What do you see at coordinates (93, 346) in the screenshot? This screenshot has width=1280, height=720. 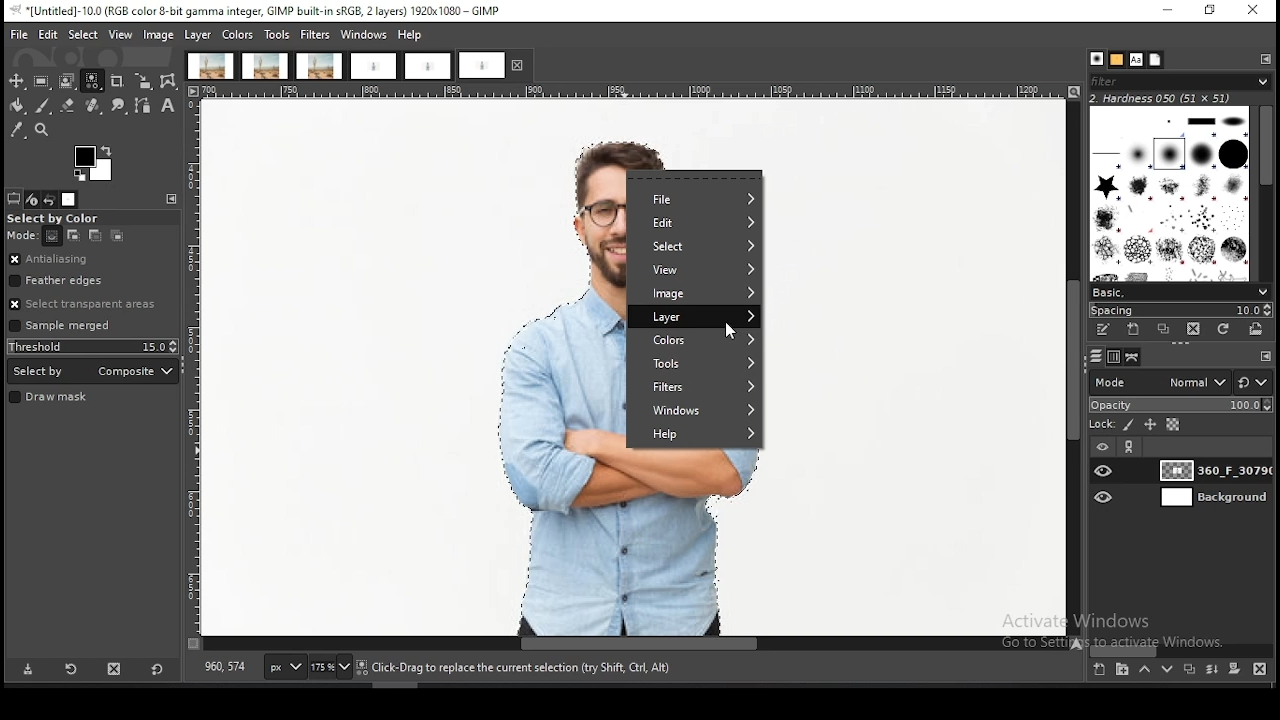 I see `threshold` at bounding box center [93, 346].